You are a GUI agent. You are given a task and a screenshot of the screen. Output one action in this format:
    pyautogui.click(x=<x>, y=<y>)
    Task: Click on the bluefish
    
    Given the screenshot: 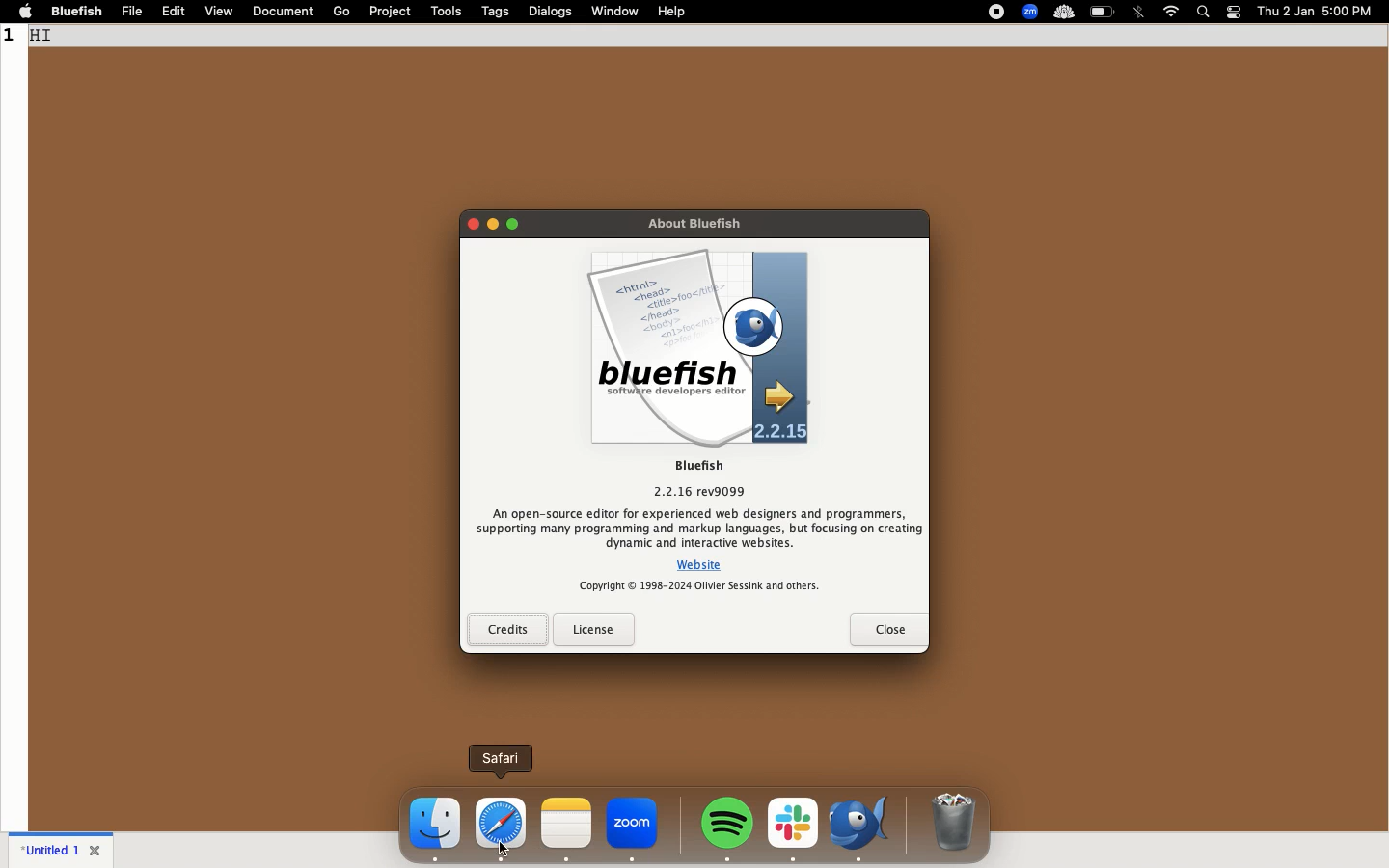 What is the action you would take?
    pyautogui.click(x=863, y=828)
    